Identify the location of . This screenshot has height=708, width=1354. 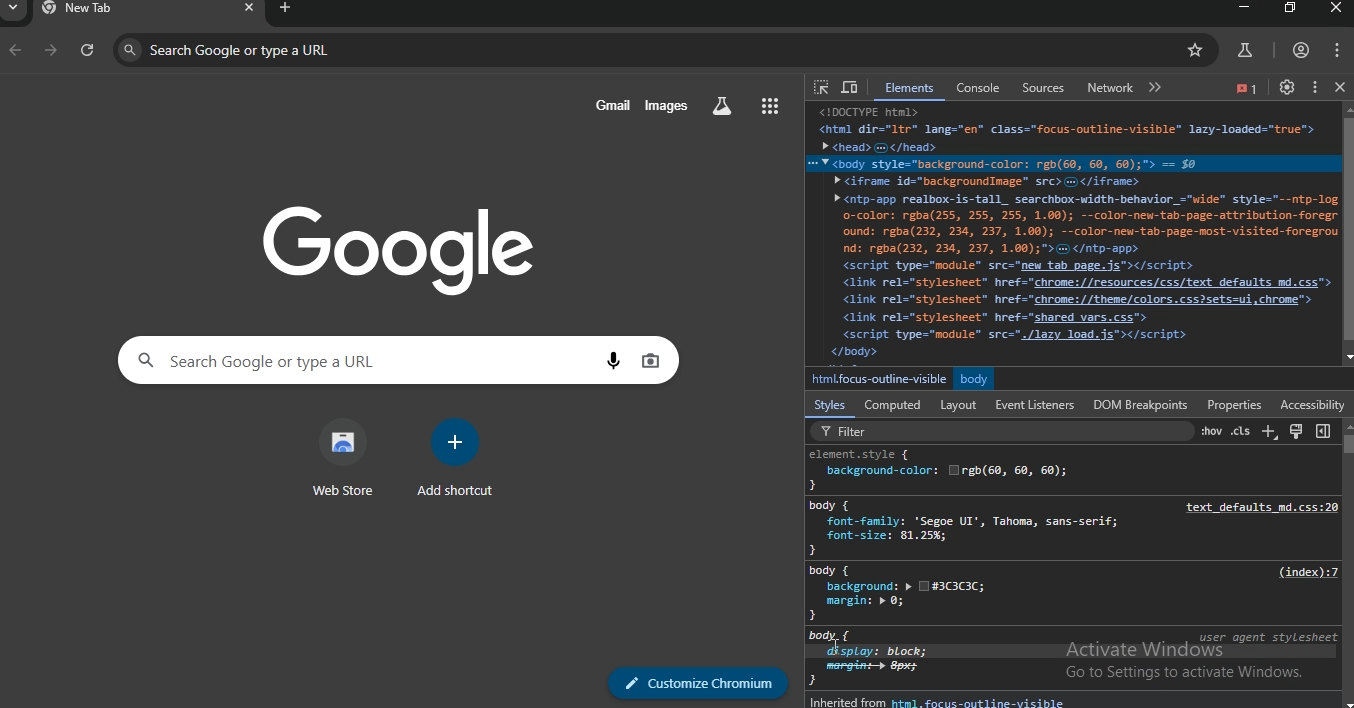
(836, 87).